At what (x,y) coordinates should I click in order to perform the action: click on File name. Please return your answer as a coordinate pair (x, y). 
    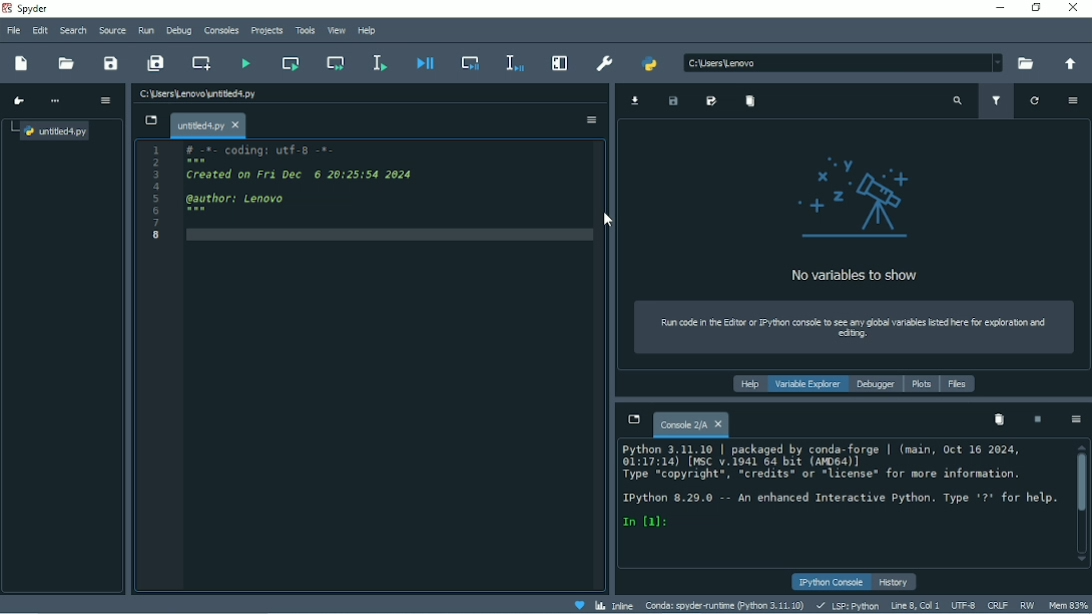
    Looking at the image, I should click on (198, 94).